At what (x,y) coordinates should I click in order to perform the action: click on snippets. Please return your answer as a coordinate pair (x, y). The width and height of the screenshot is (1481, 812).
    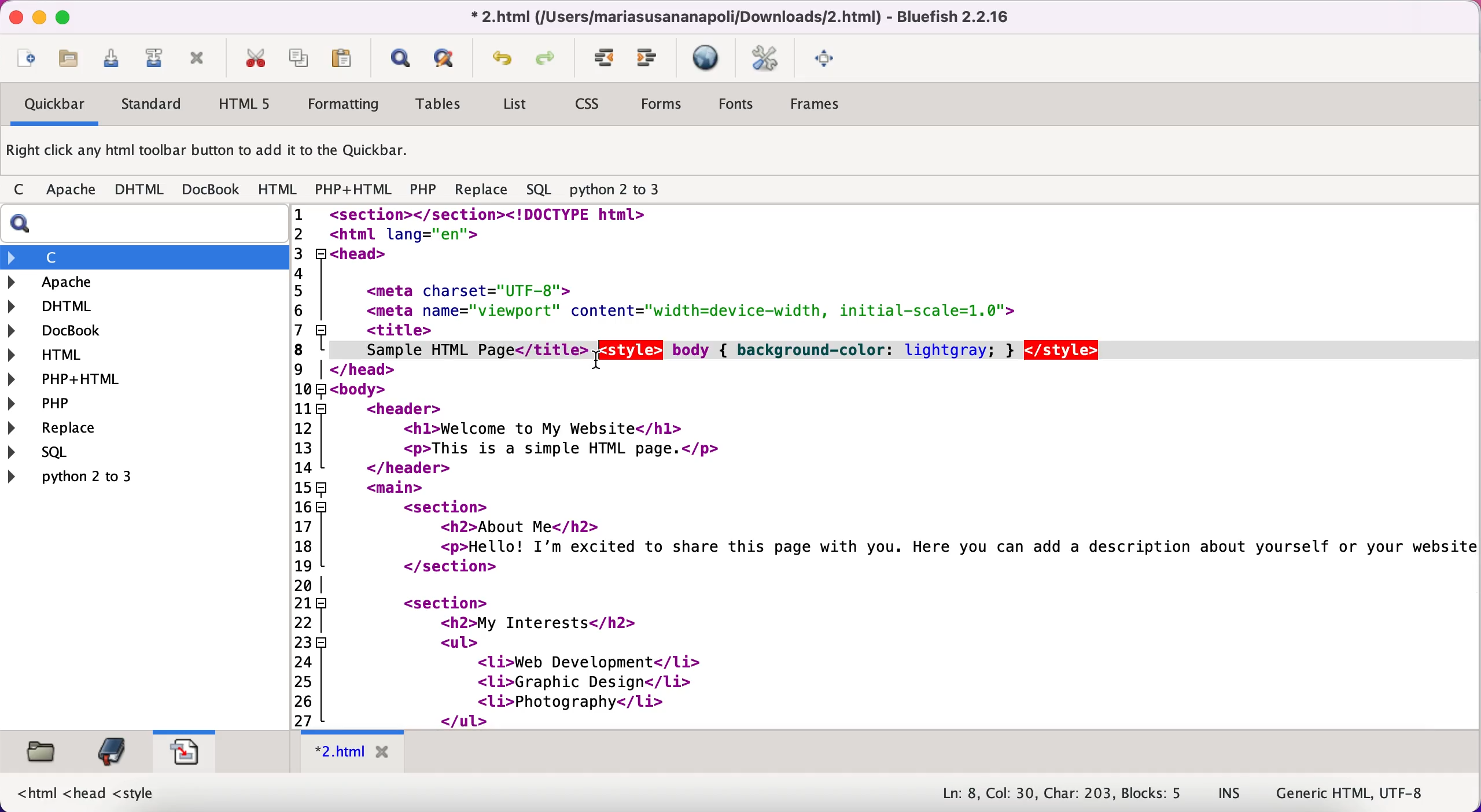
    Looking at the image, I should click on (184, 749).